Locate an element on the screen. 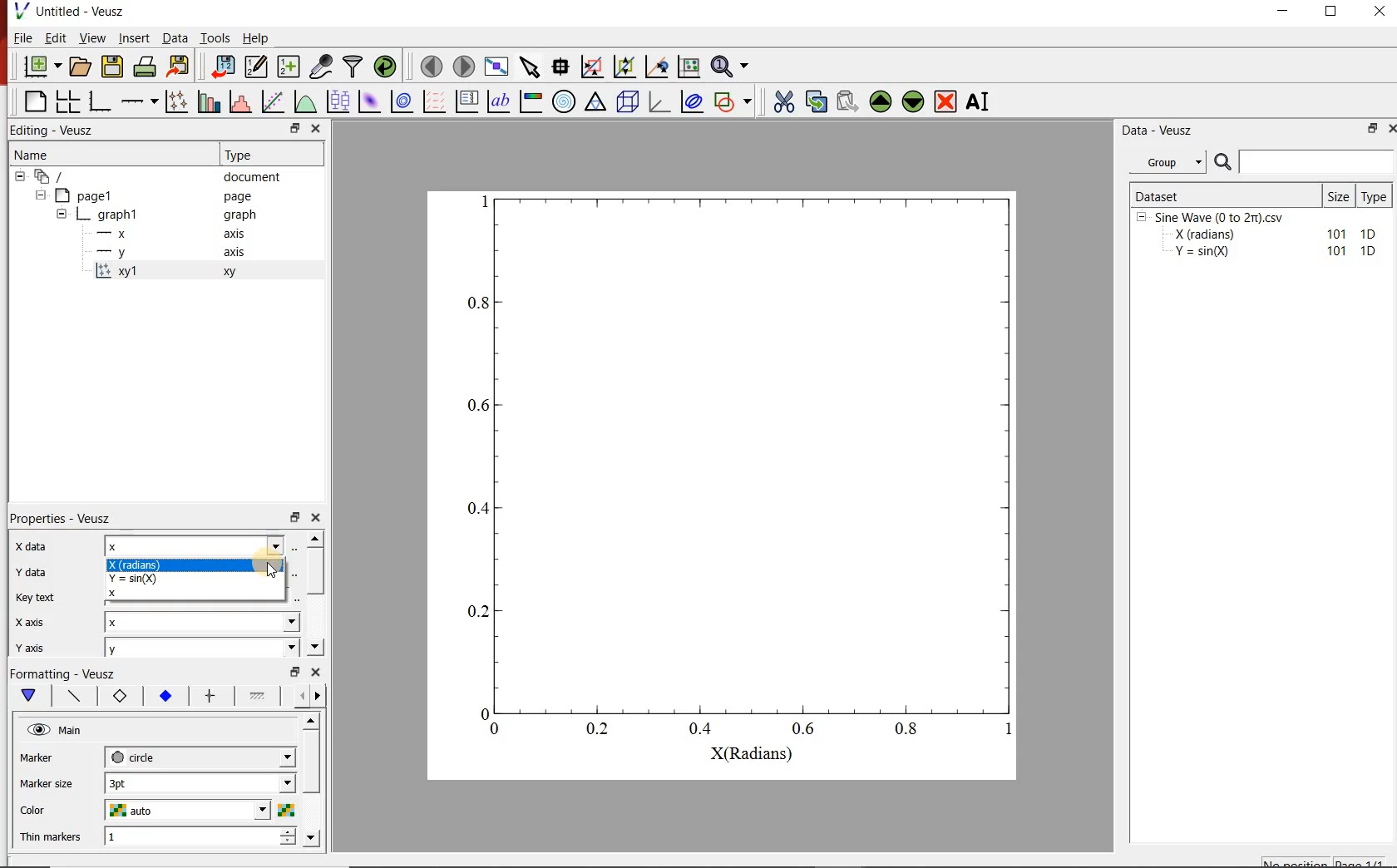 This screenshot has height=868, width=1397. Close is located at coordinates (1381, 11).